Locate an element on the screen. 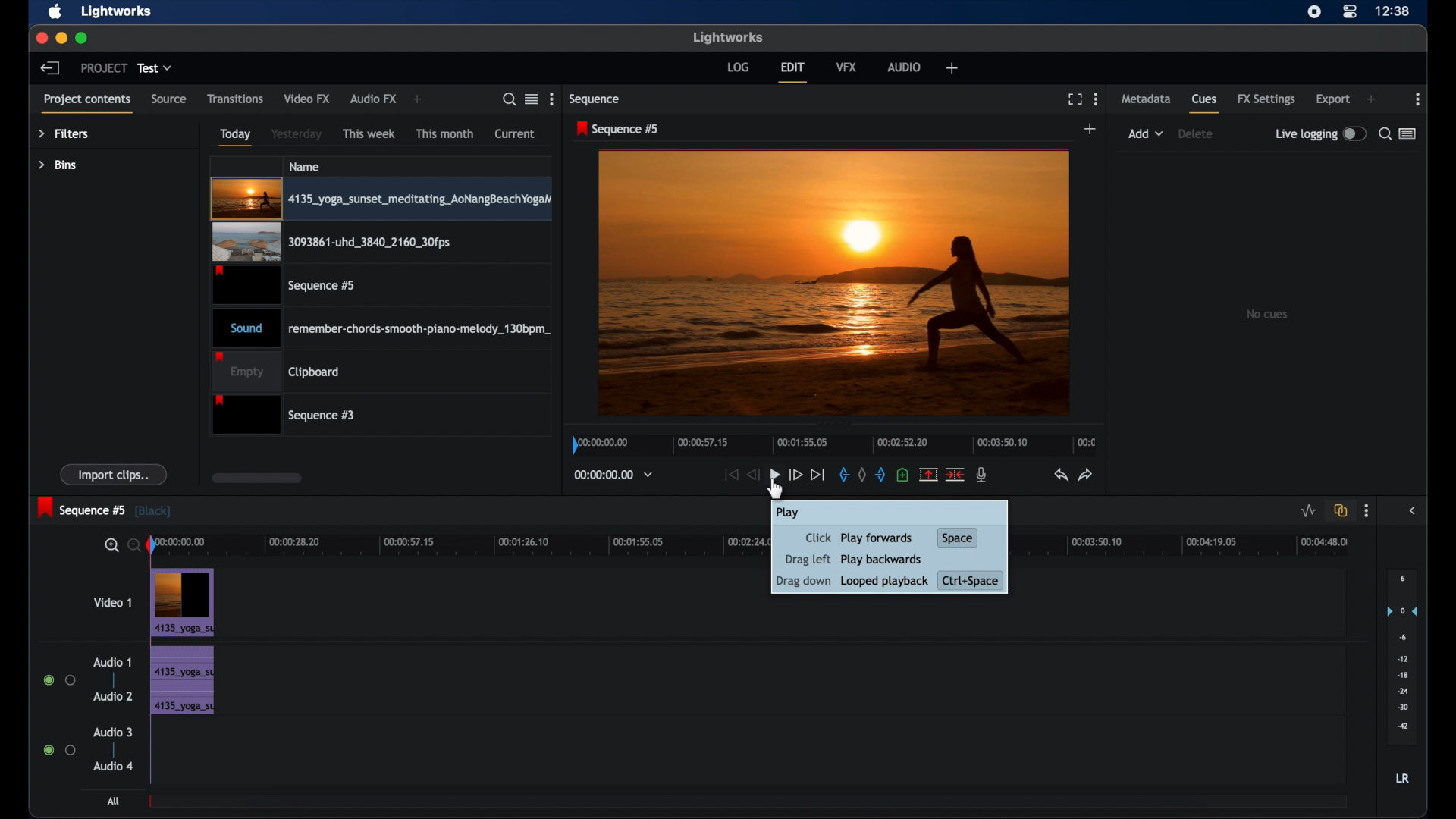 The height and width of the screenshot is (819, 1456). lr is located at coordinates (1403, 778).